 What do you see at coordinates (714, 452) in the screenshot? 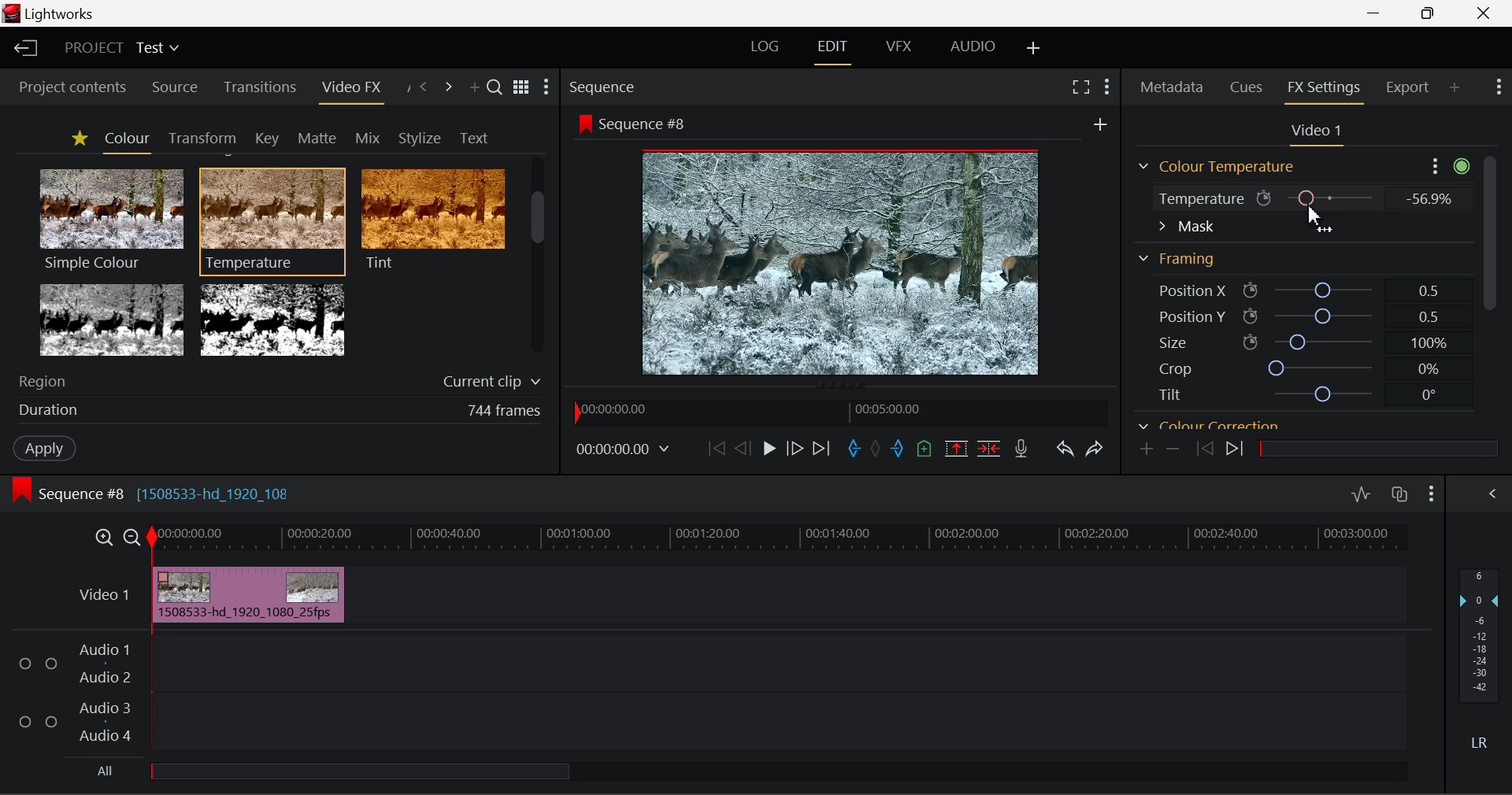
I see `To start` at bounding box center [714, 452].